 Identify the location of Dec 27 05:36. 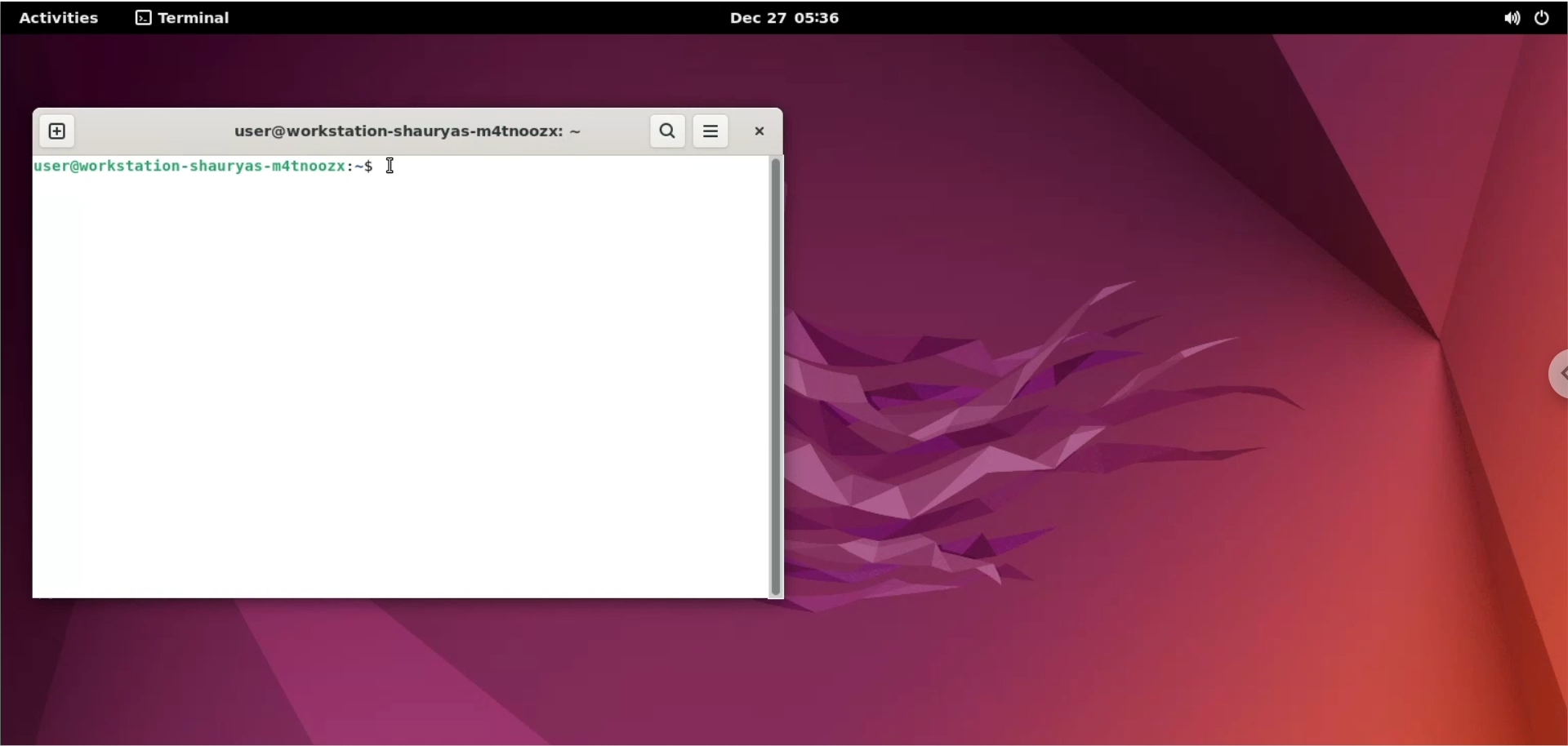
(786, 17).